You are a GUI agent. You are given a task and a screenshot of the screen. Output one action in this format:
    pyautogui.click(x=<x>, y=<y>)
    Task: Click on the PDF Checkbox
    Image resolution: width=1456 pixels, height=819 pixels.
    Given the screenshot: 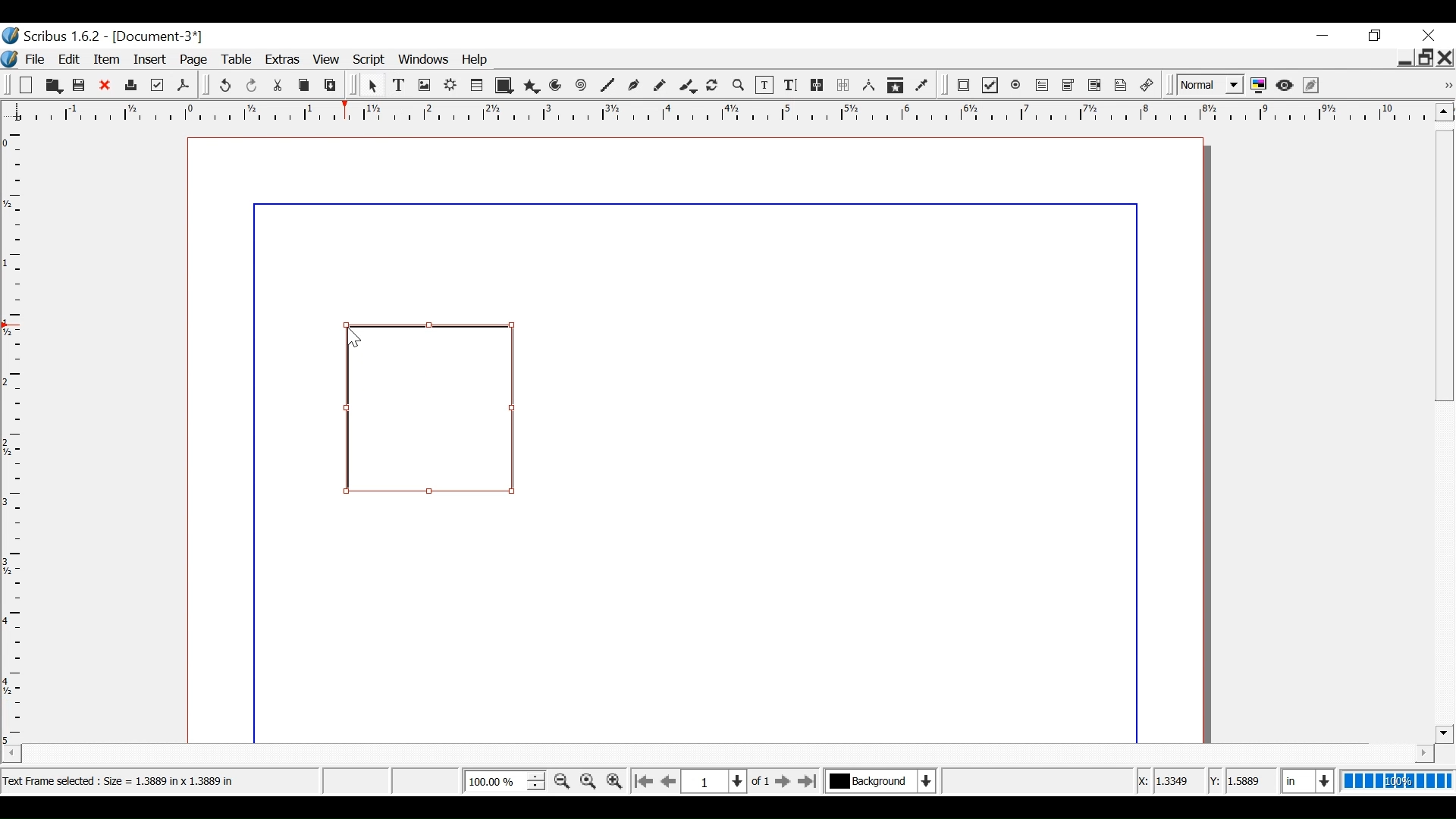 What is the action you would take?
    pyautogui.click(x=990, y=86)
    